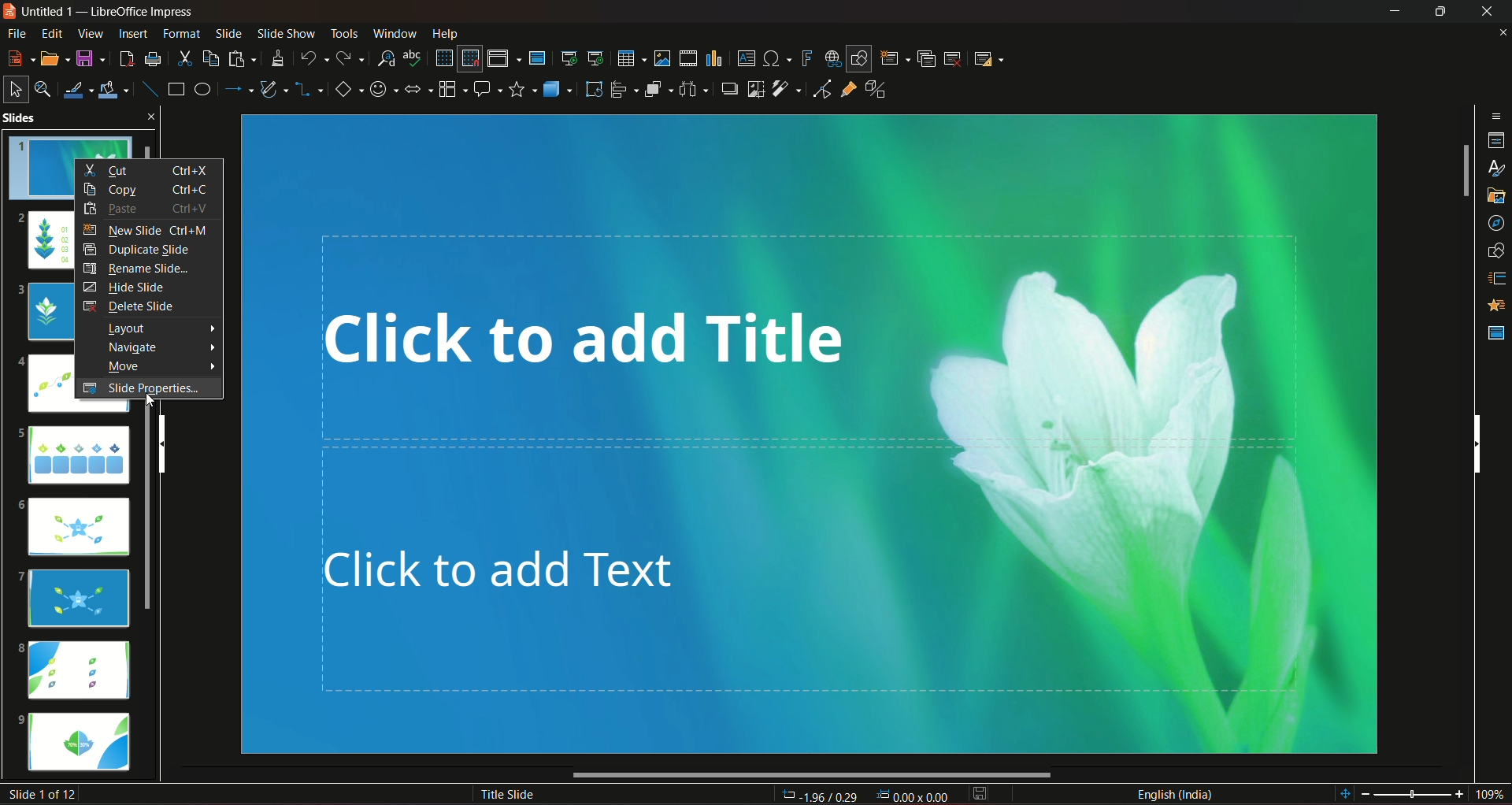  What do you see at coordinates (746, 57) in the screenshot?
I see `insert text box` at bounding box center [746, 57].